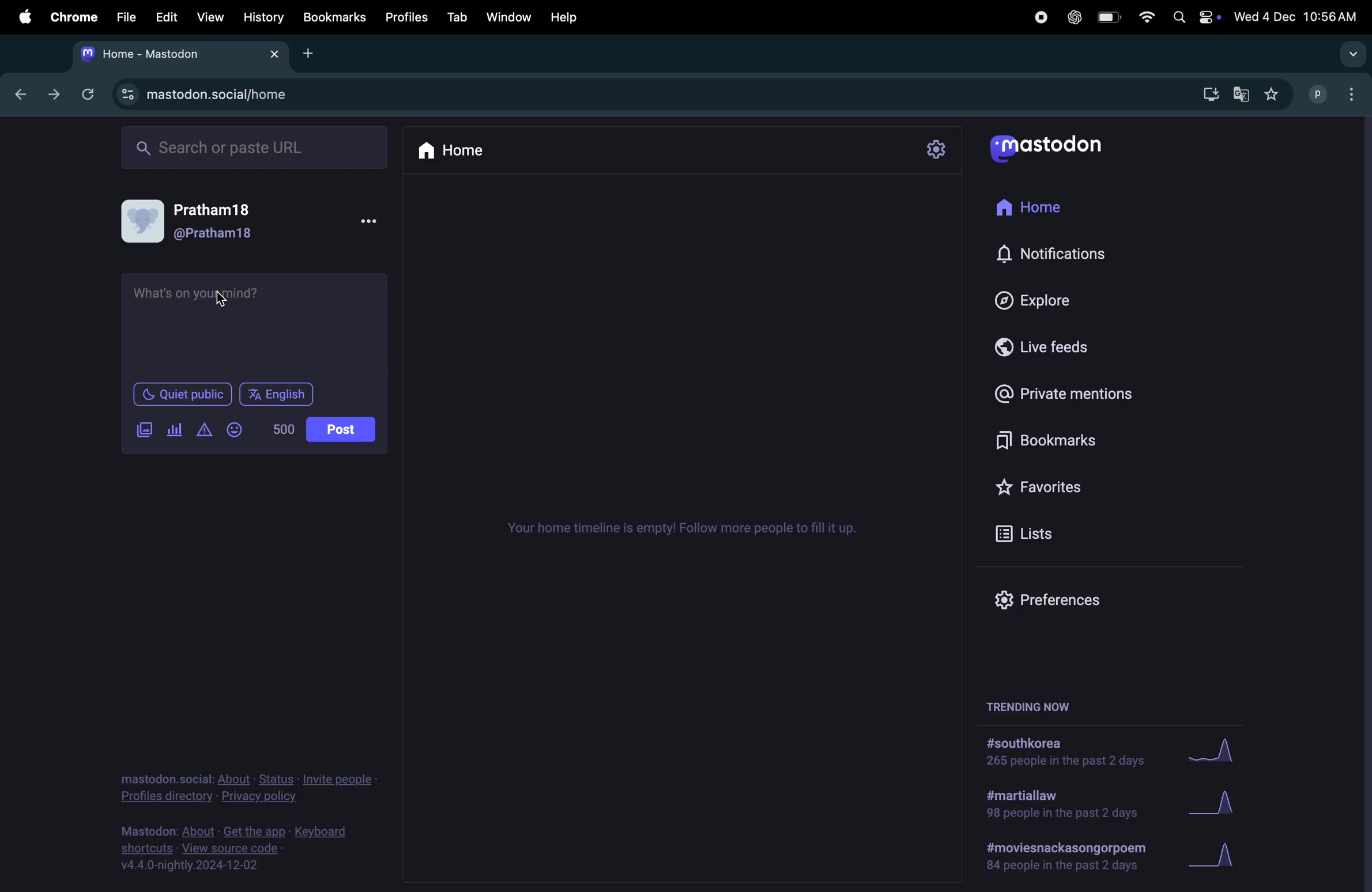  Describe the element at coordinates (168, 16) in the screenshot. I see `Edit` at that location.